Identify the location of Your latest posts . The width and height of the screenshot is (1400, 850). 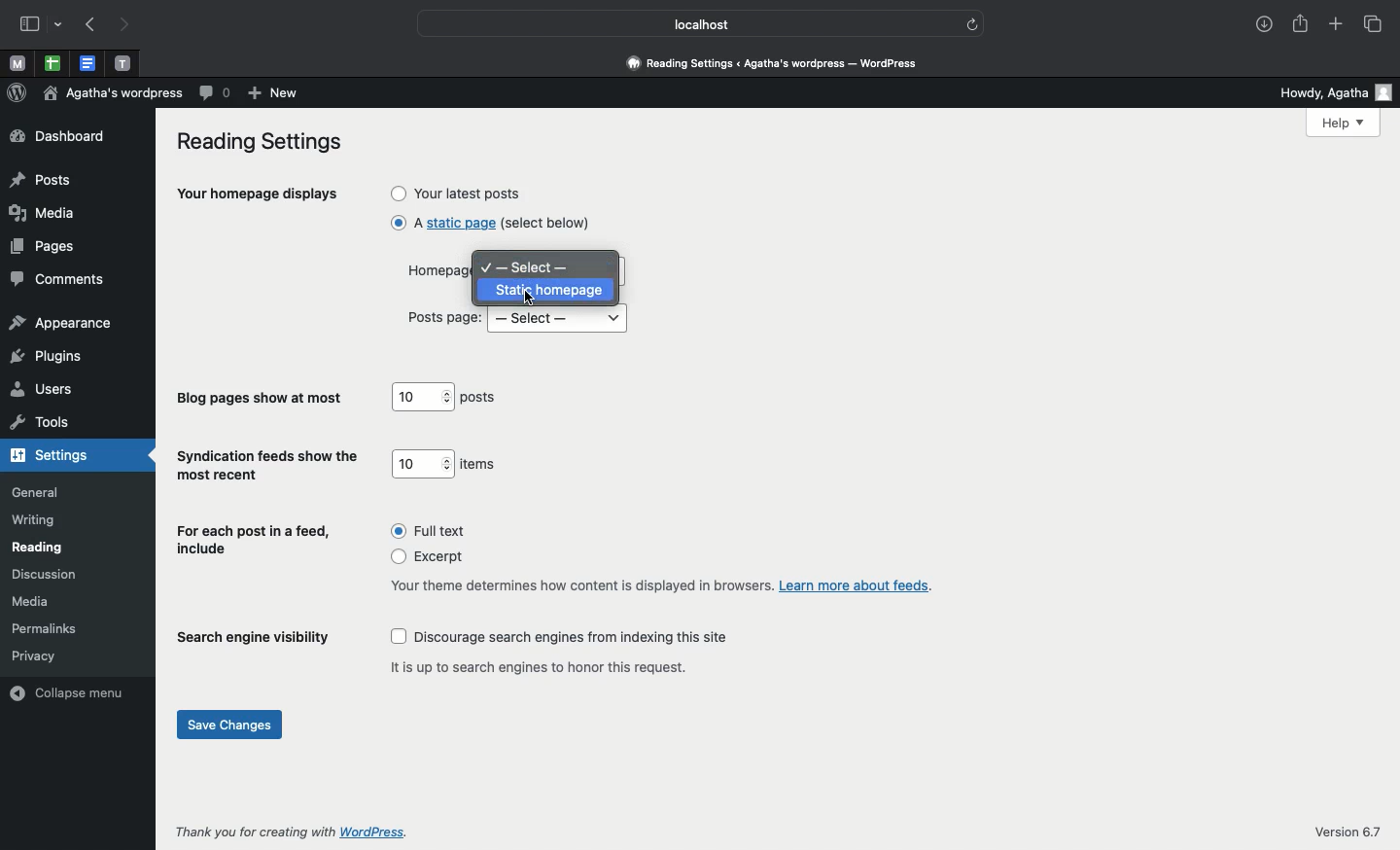
(458, 193).